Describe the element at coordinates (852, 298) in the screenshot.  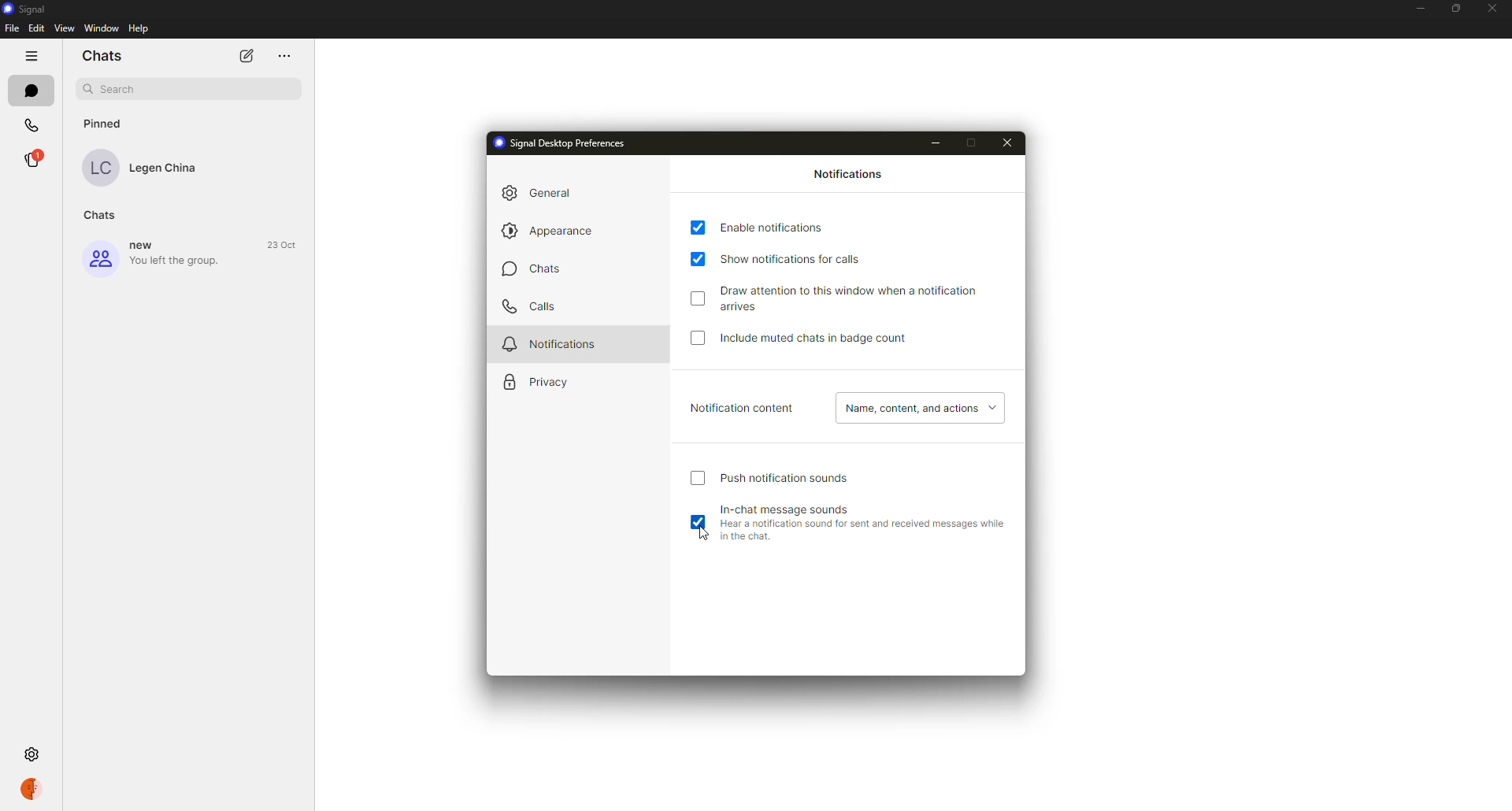
I see `draw attention to this window when a notification arrives` at that location.